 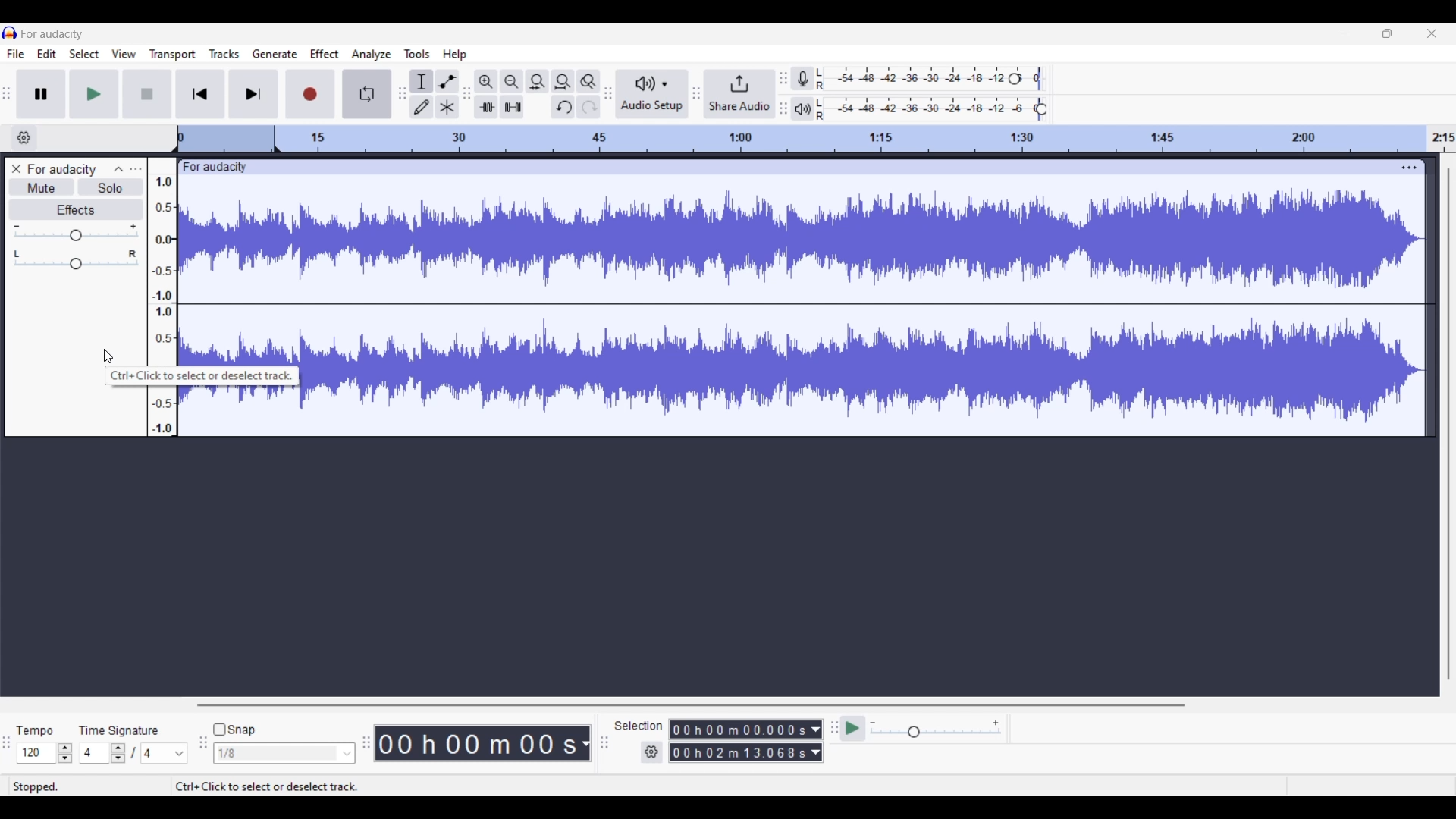 What do you see at coordinates (416, 54) in the screenshot?
I see `Tools menu` at bounding box center [416, 54].